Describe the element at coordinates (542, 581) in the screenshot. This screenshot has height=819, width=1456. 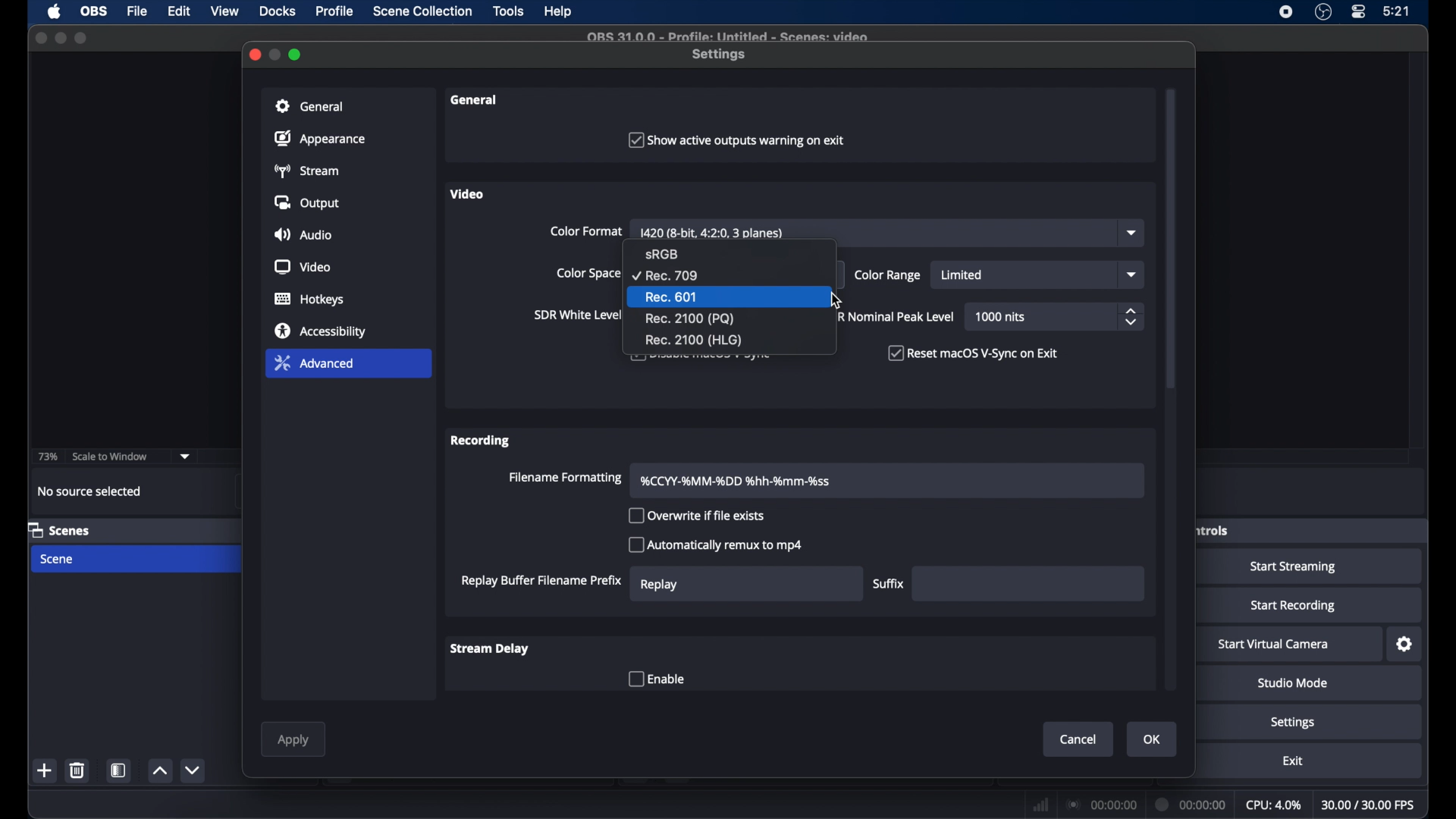
I see `replay buffer filename prefix` at that location.